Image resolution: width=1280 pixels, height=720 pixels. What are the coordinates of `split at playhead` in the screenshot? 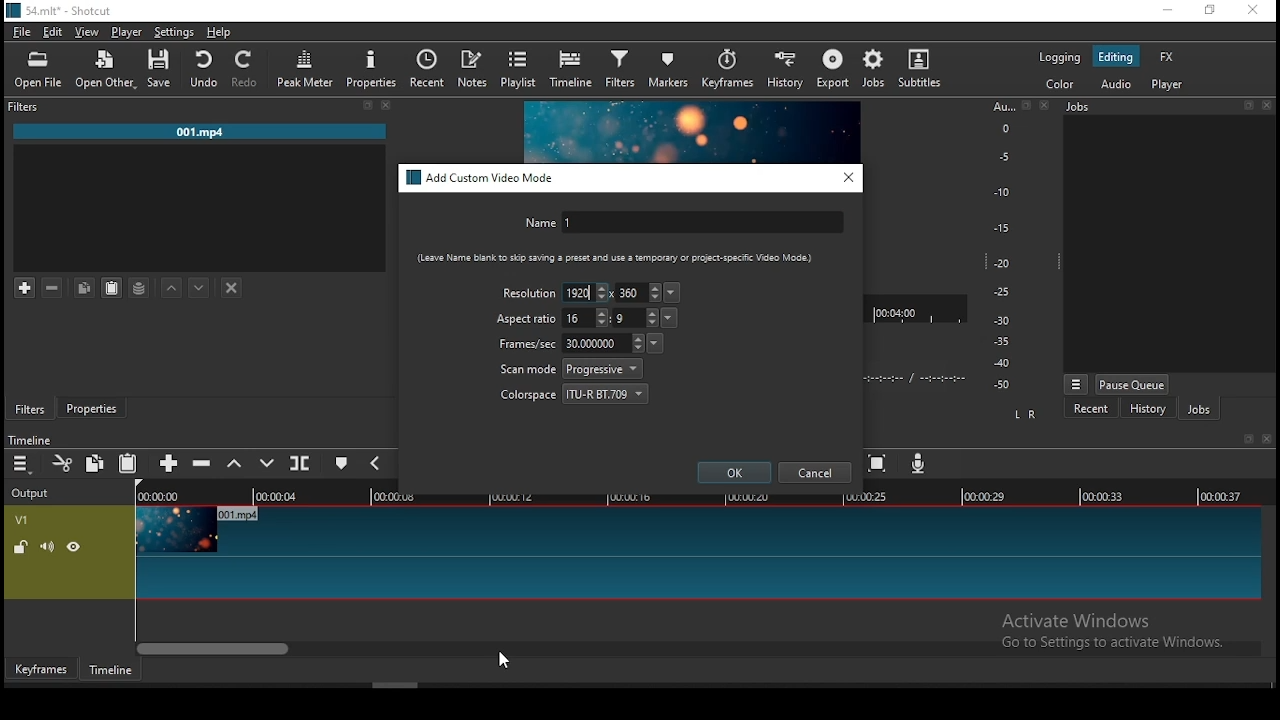 It's located at (299, 462).